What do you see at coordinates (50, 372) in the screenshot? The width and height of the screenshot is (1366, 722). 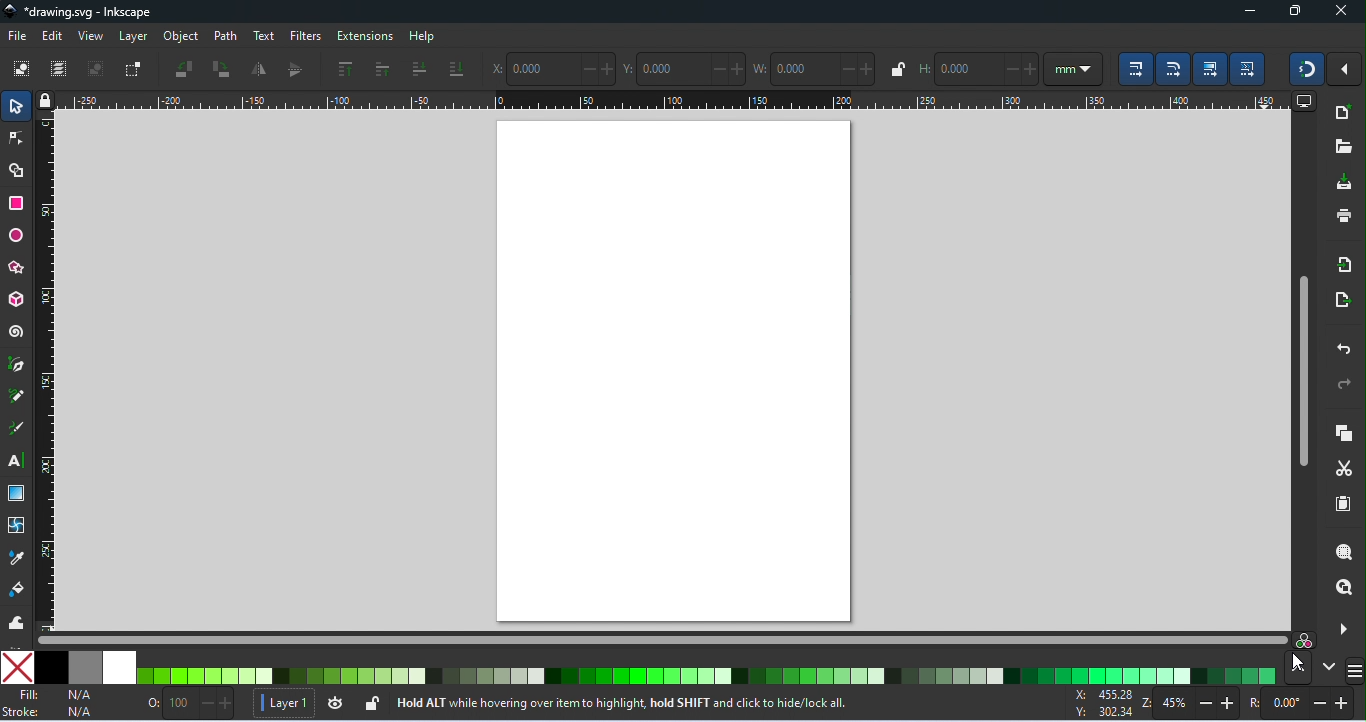 I see `ruler` at bounding box center [50, 372].